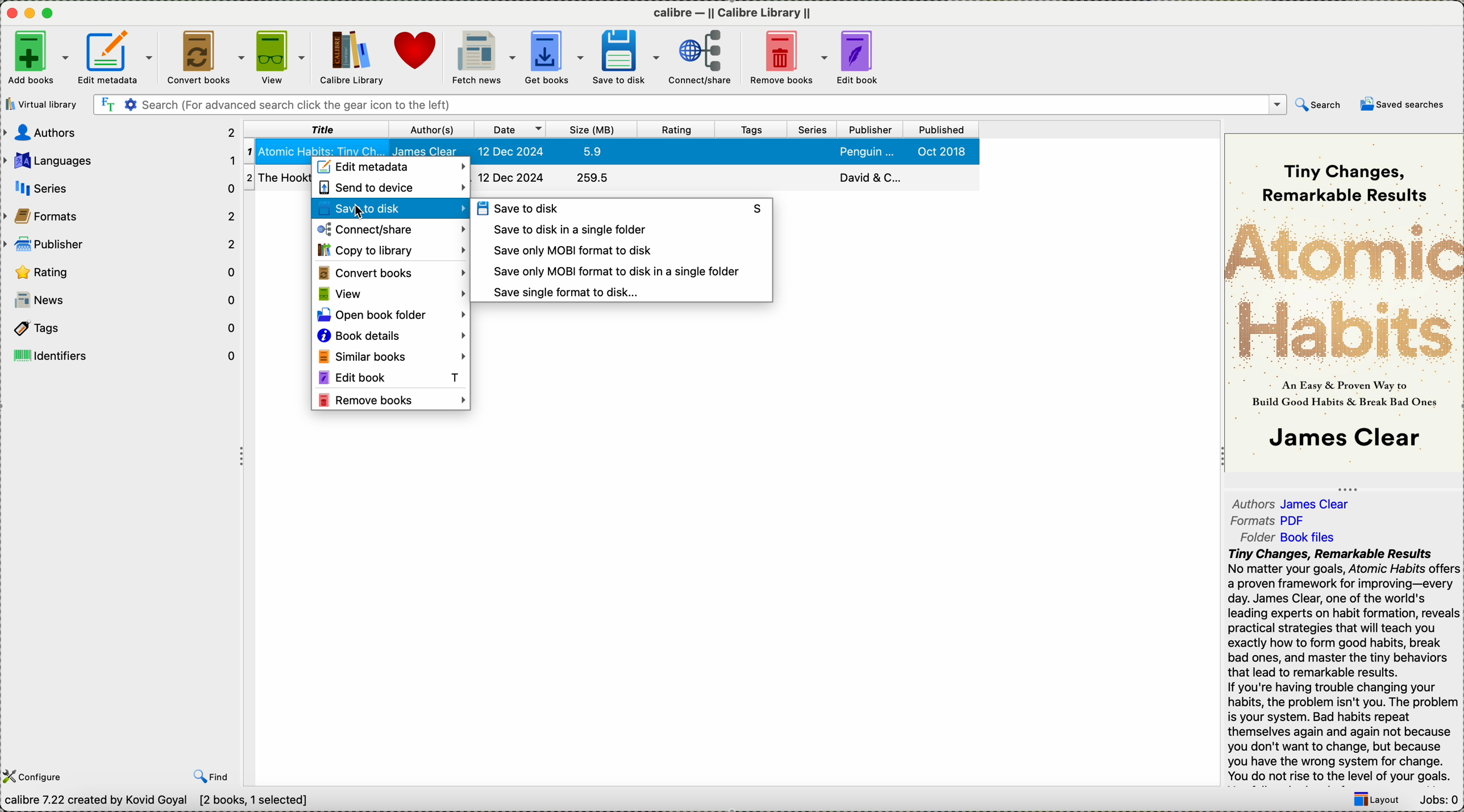  I want to click on tags, so click(751, 129).